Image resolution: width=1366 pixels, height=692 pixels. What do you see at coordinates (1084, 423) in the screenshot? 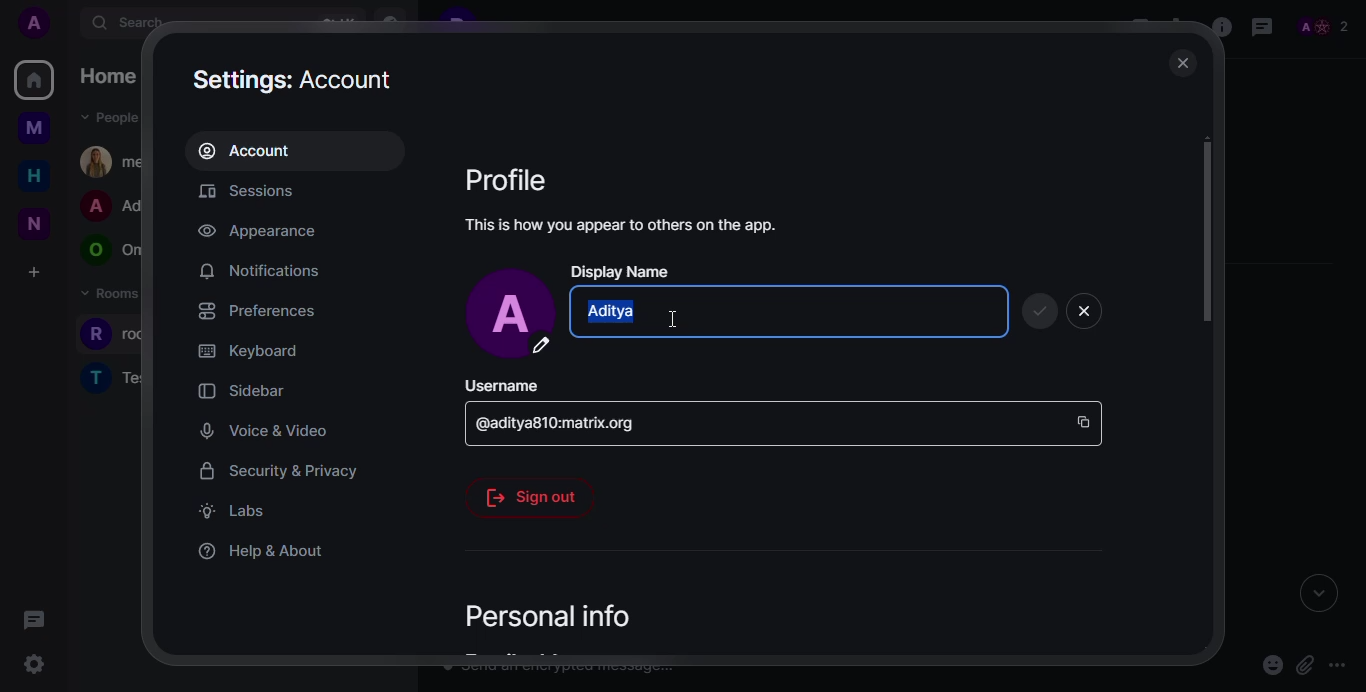
I see `copy` at bounding box center [1084, 423].